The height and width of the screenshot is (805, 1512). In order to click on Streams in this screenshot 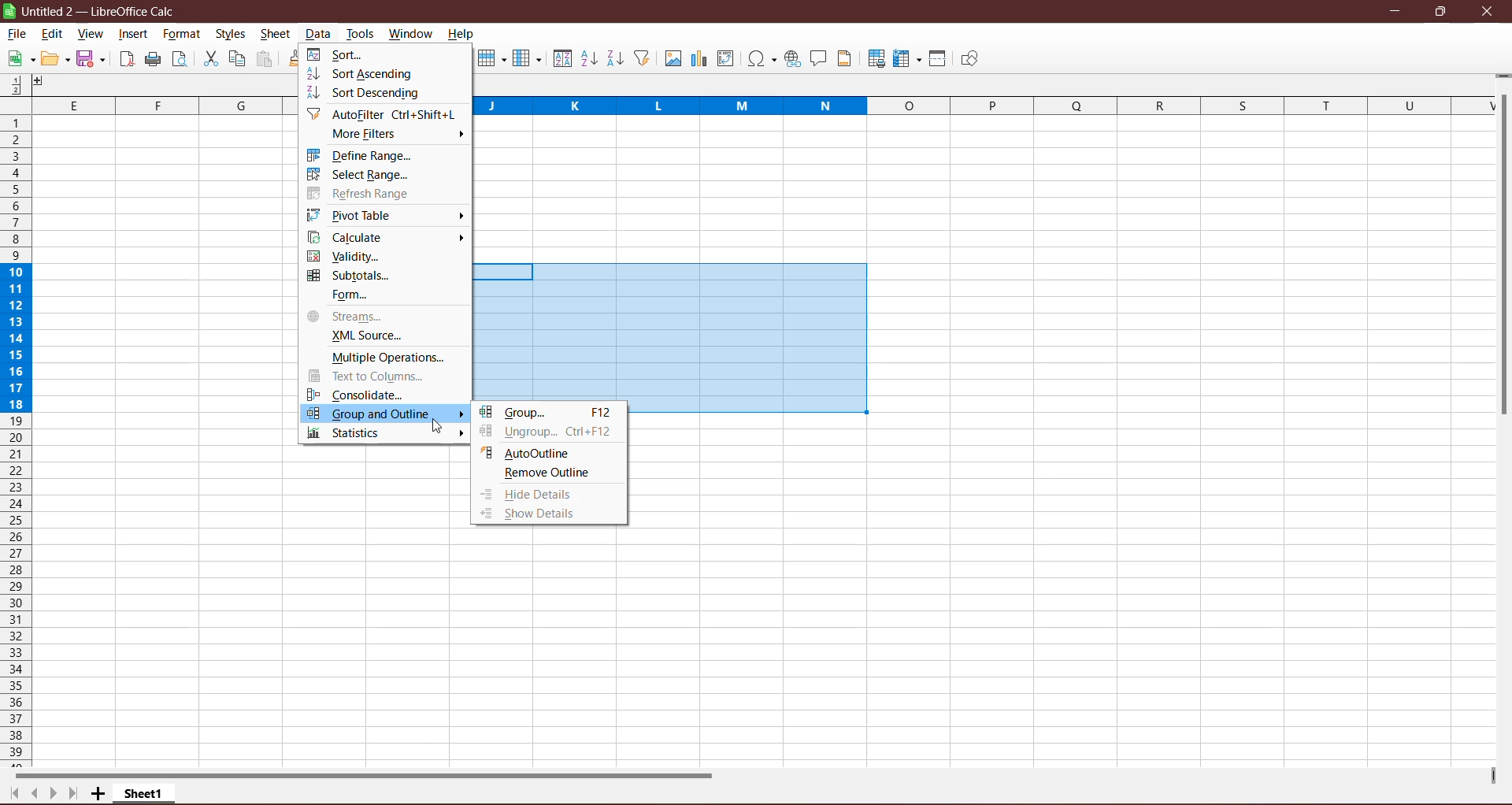, I will do `click(347, 317)`.